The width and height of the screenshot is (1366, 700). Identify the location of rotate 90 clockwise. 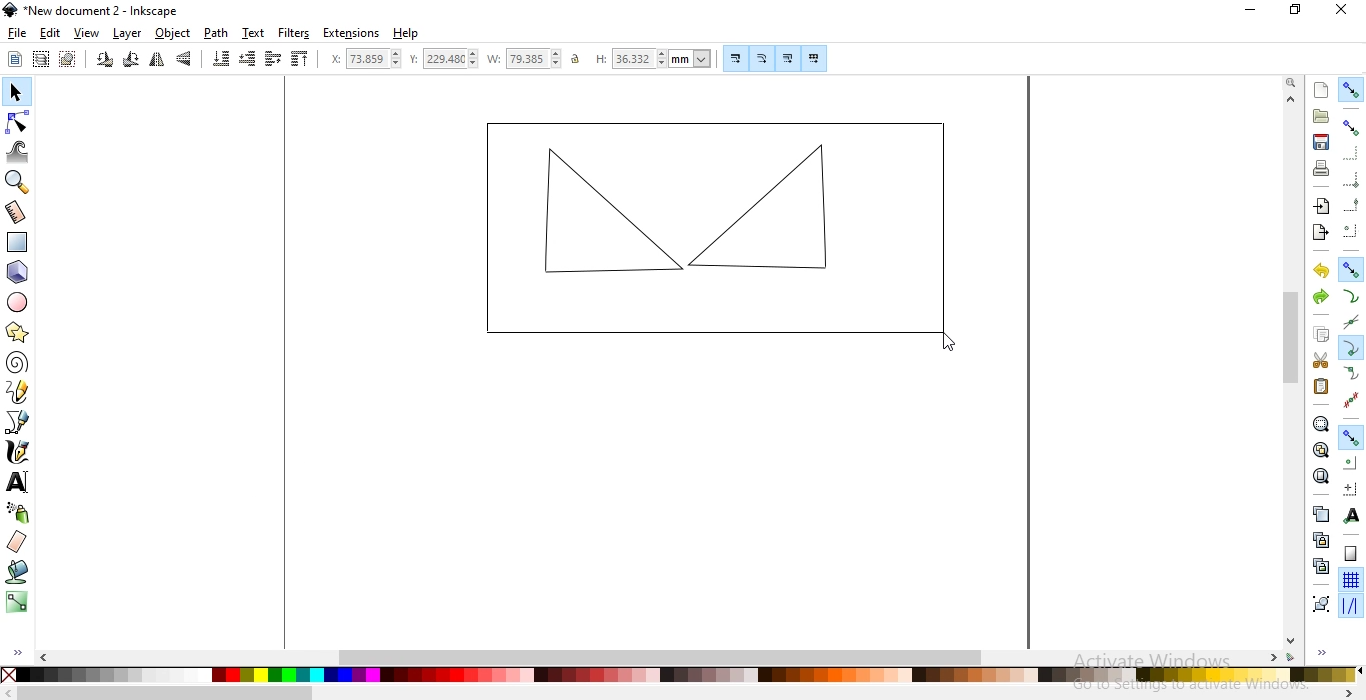
(130, 60).